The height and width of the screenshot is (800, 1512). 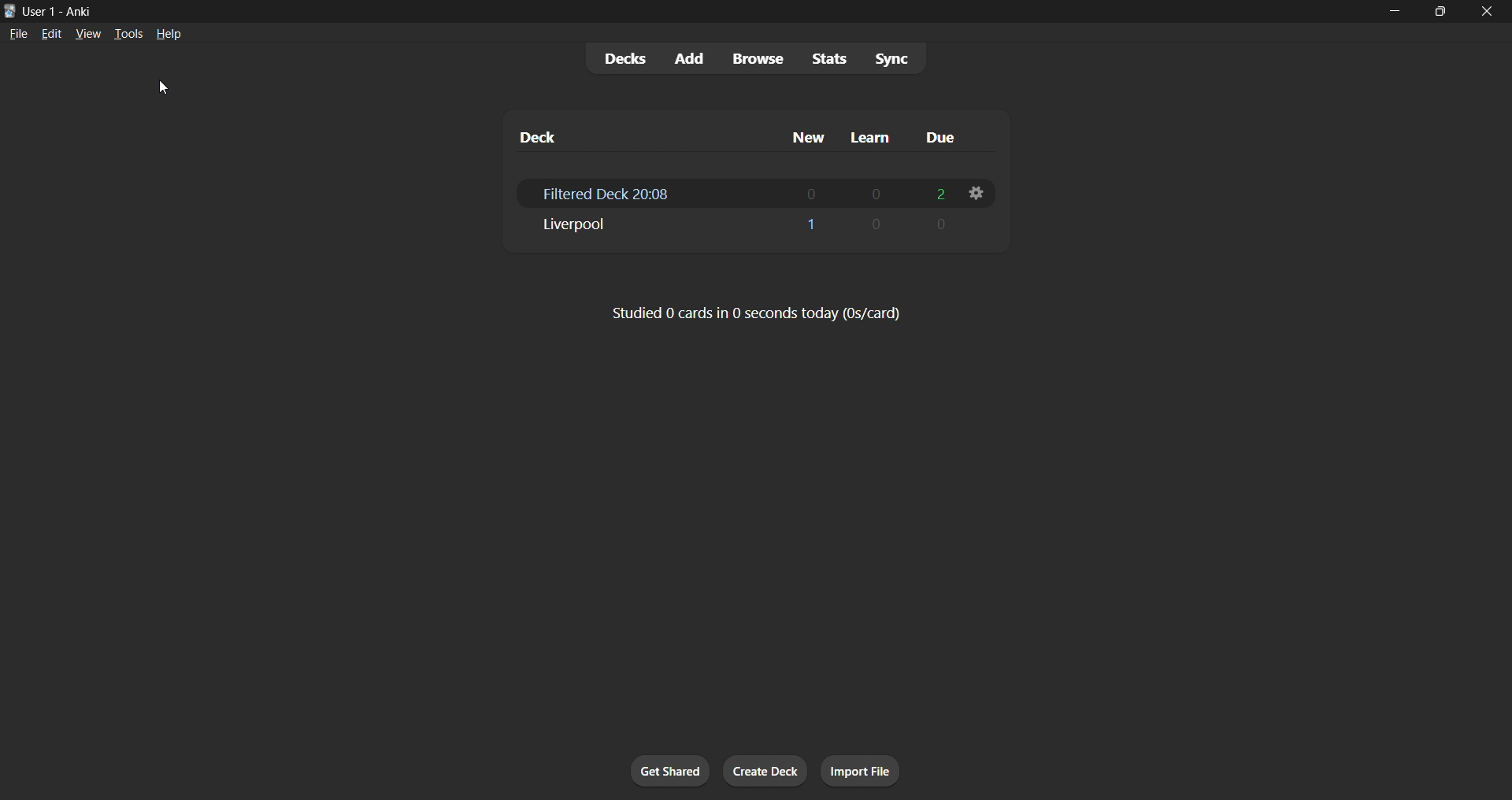 I want to click on view, so click(x=86, y=35).